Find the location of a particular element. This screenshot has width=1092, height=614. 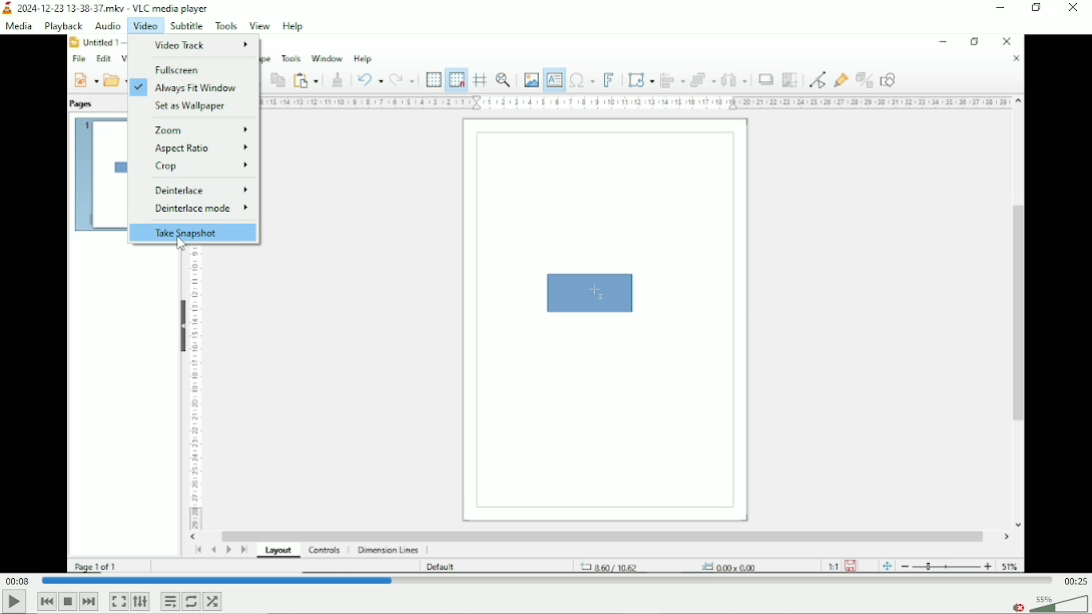

Previous is located at coordinates (46, 601).